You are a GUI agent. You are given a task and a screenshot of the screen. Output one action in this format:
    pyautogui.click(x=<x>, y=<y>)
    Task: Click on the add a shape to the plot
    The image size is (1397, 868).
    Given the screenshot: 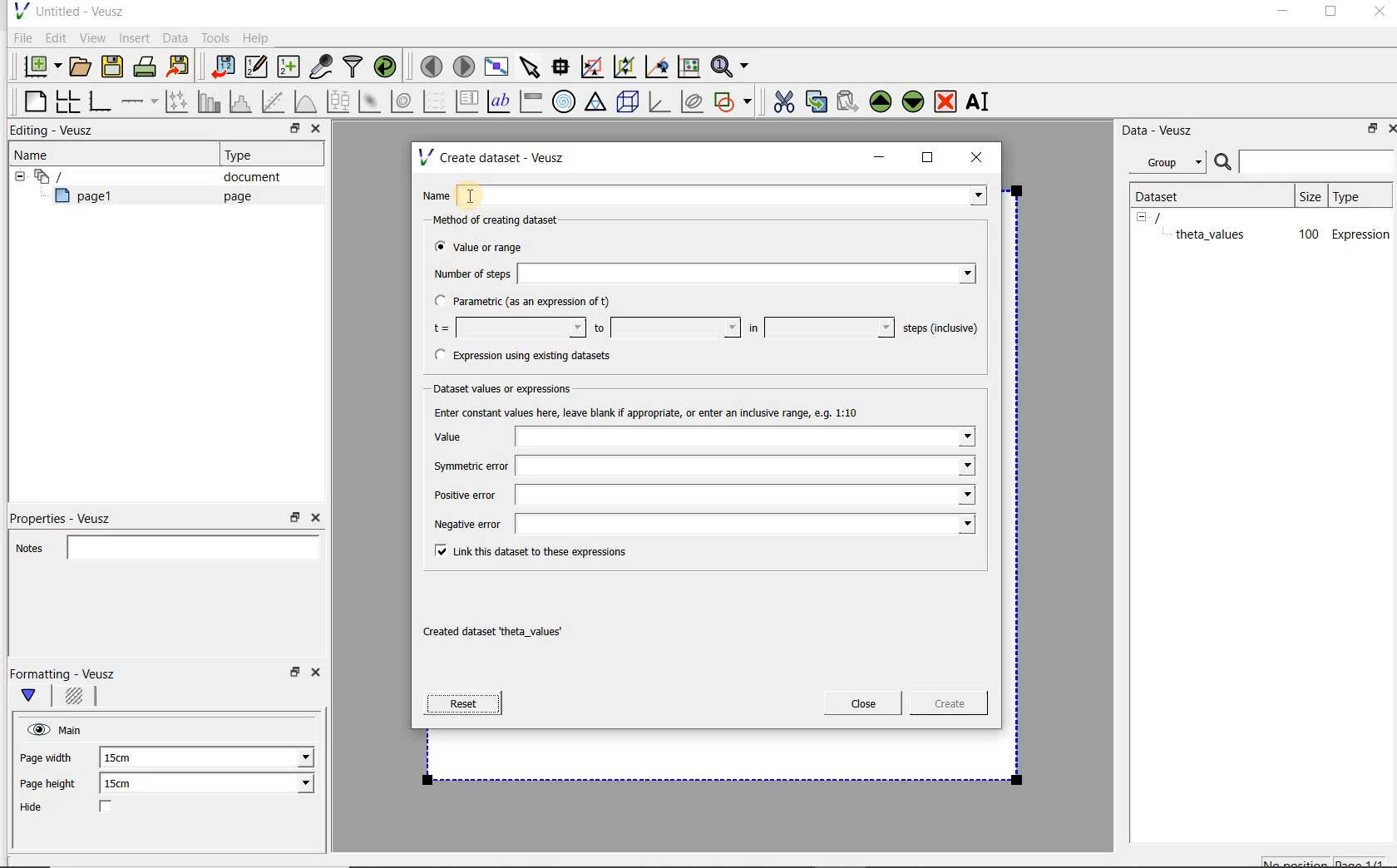 What is the action you would take?
    pyautogui.click(x=734, y=100)
    